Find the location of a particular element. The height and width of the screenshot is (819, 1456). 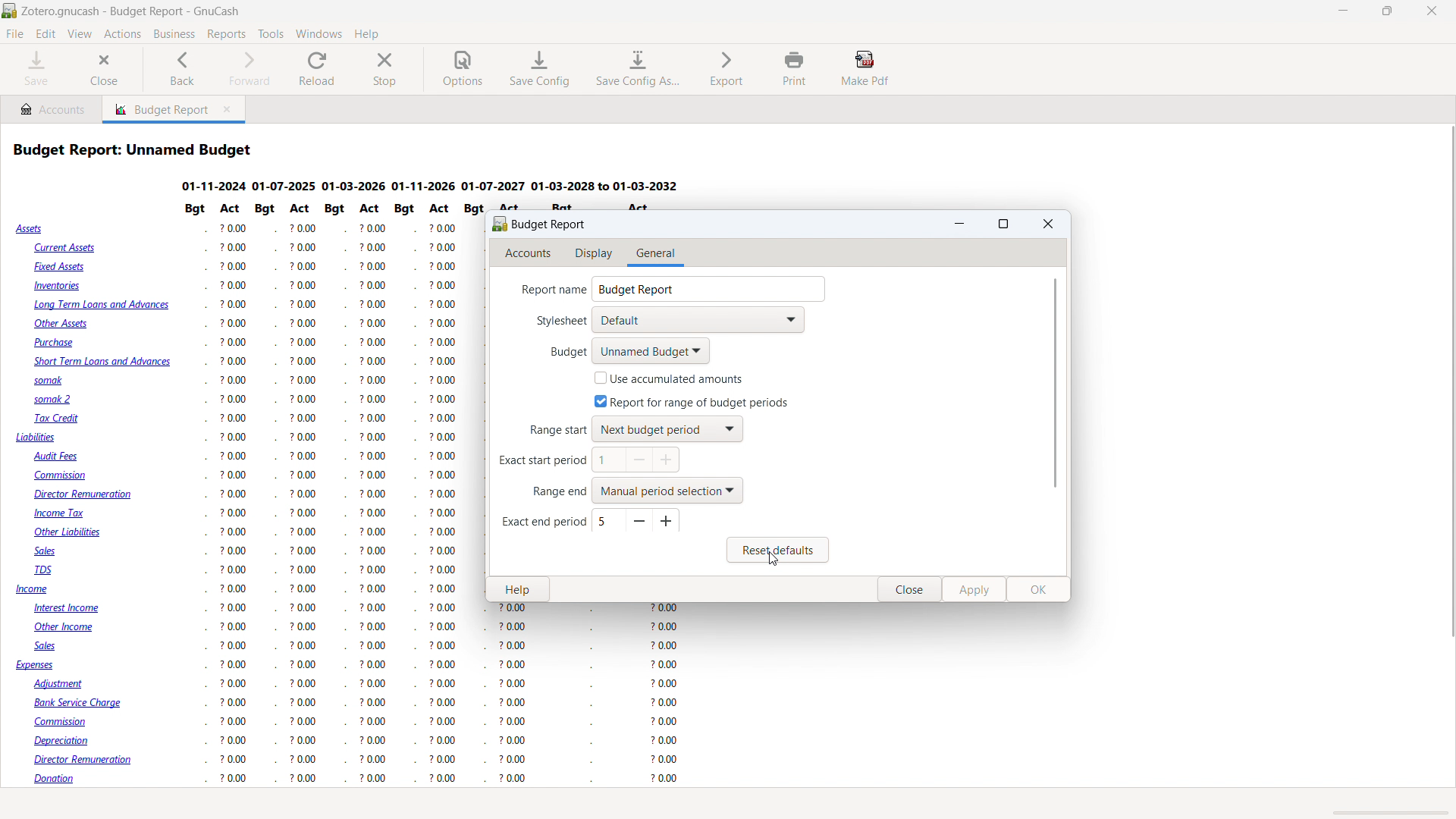

ok is located at coordinates (1039, 590).